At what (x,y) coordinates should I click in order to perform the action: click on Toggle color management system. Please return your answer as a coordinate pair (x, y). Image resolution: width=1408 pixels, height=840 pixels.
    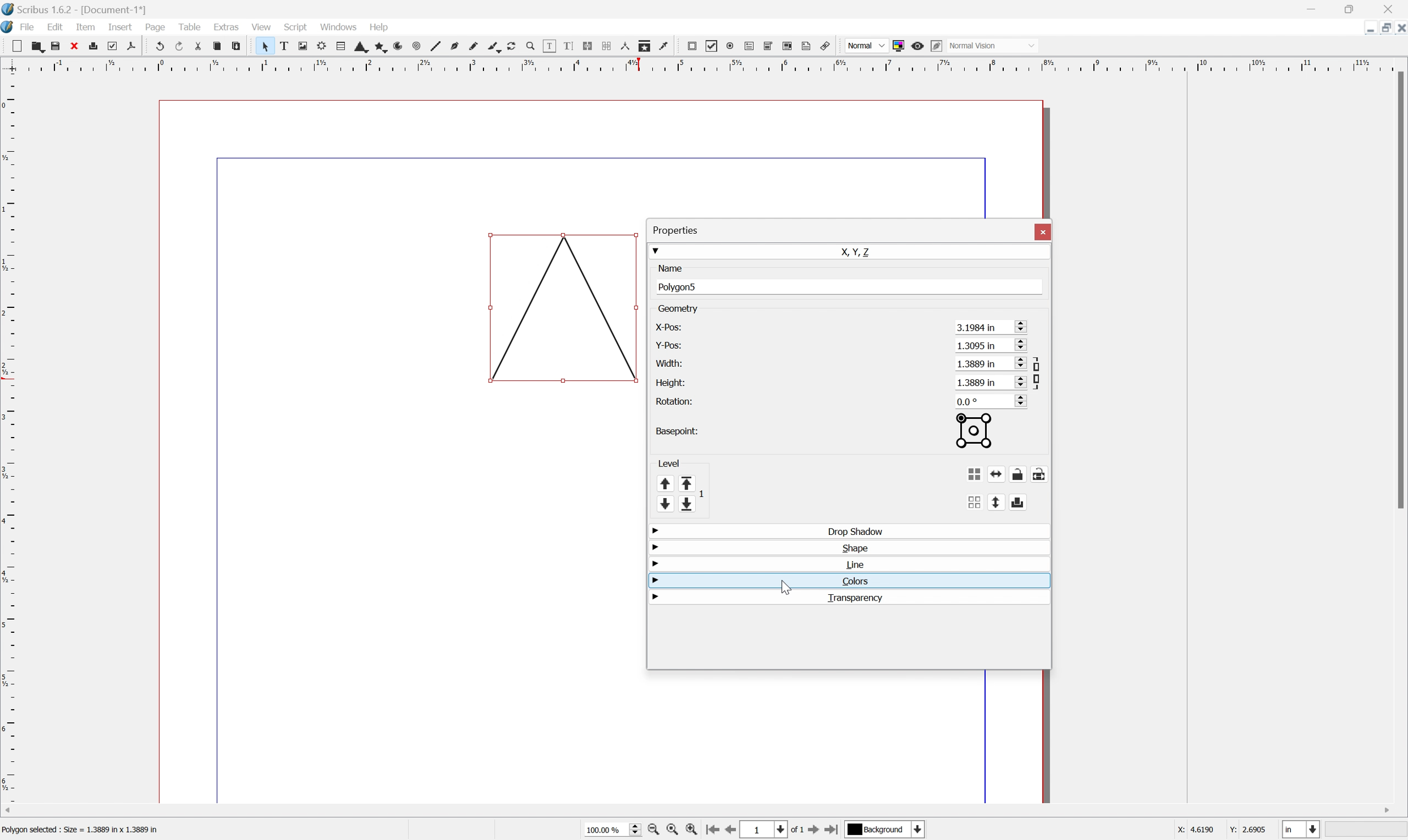
    Looking at the image, I should click on (898, 46).